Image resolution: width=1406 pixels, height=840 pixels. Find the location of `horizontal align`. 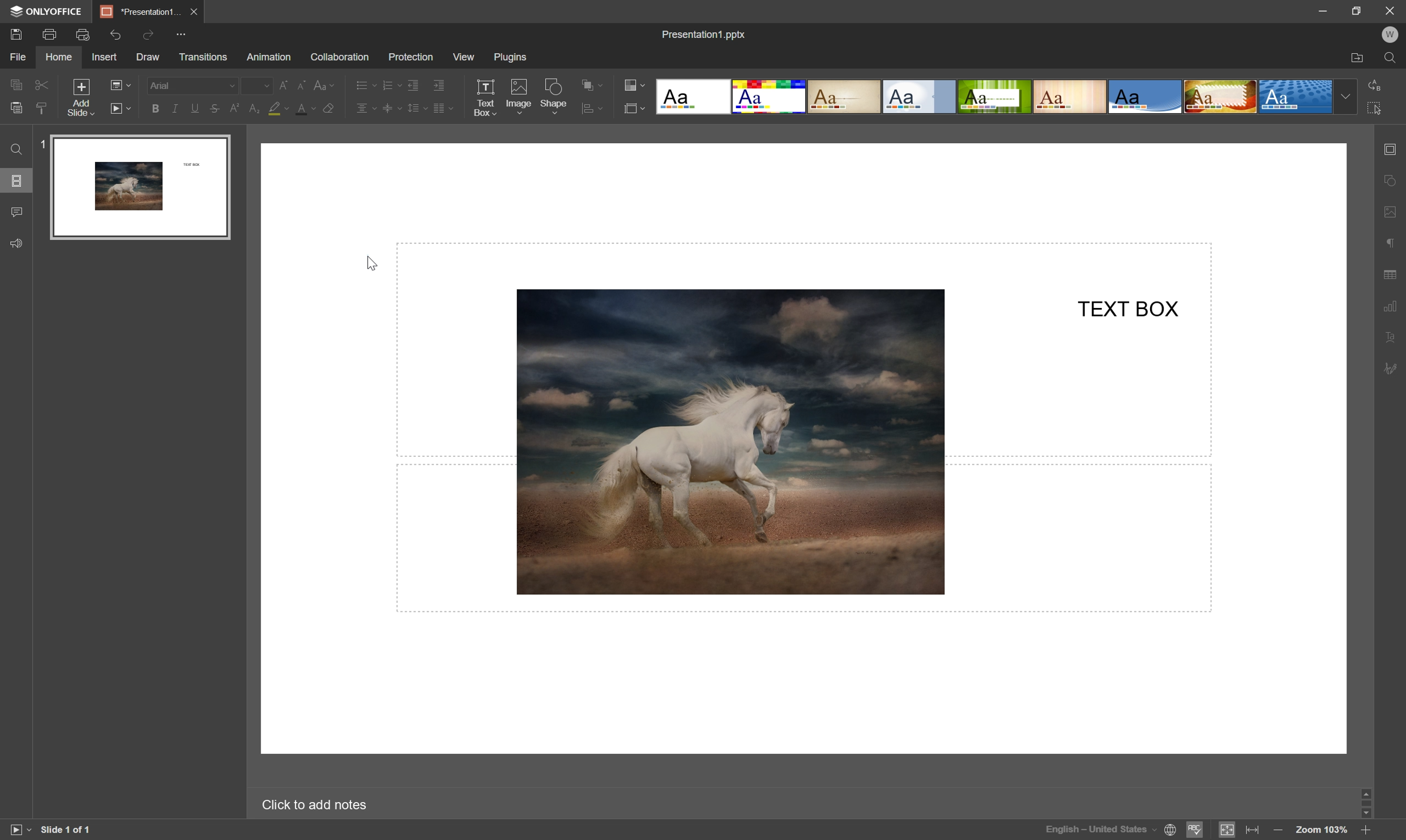

horizontal align is located at coordinates (366, 106).